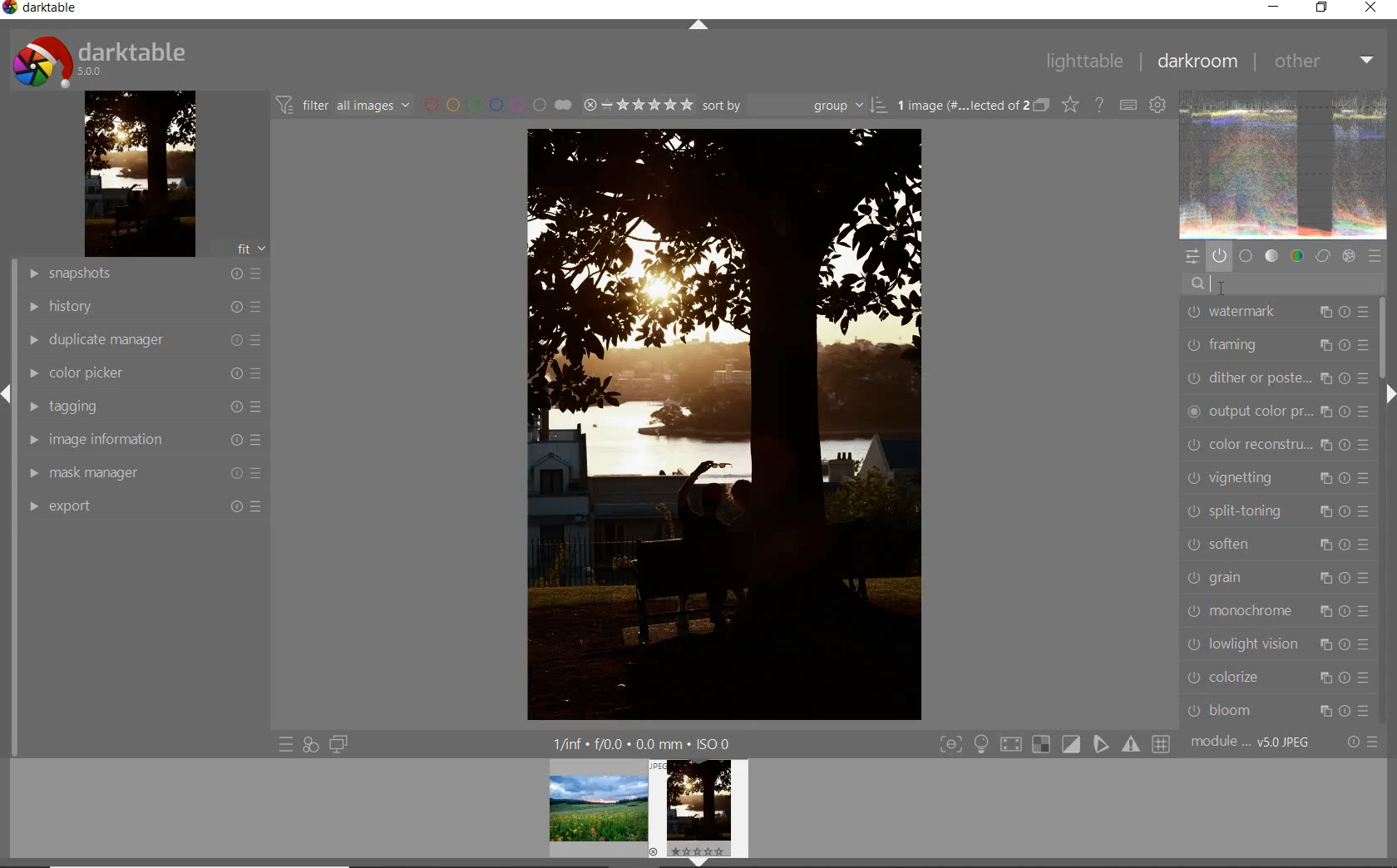  Describe the element at coordinates (139, 273) in the screenshot. I see `snapshots` at that location.